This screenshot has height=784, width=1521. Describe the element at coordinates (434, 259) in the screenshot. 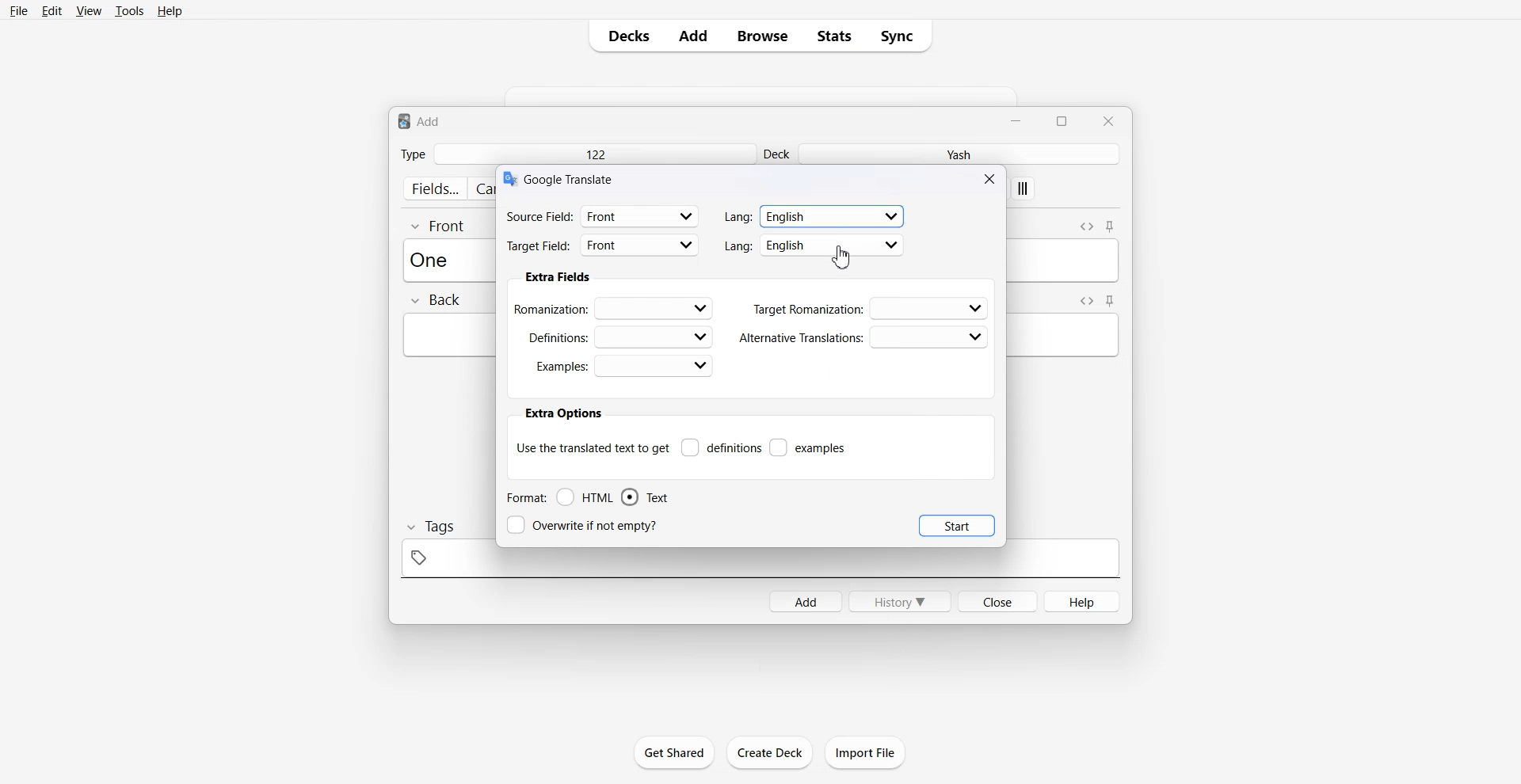

I see `Text` at that location.